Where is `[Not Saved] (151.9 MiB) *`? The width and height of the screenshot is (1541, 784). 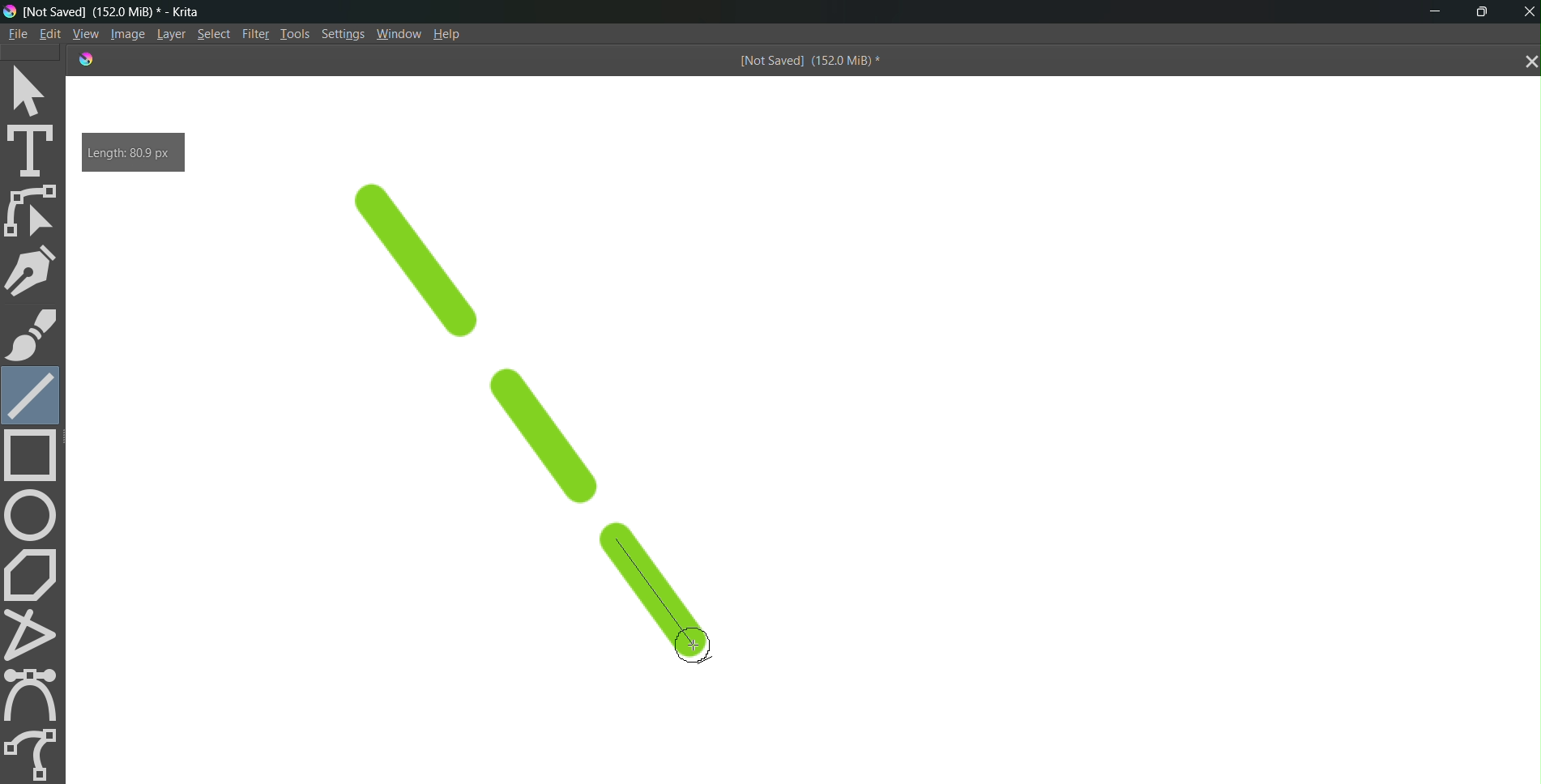 [Not Saved] (151.9 MiB) * is located at coordinates (807, 62).